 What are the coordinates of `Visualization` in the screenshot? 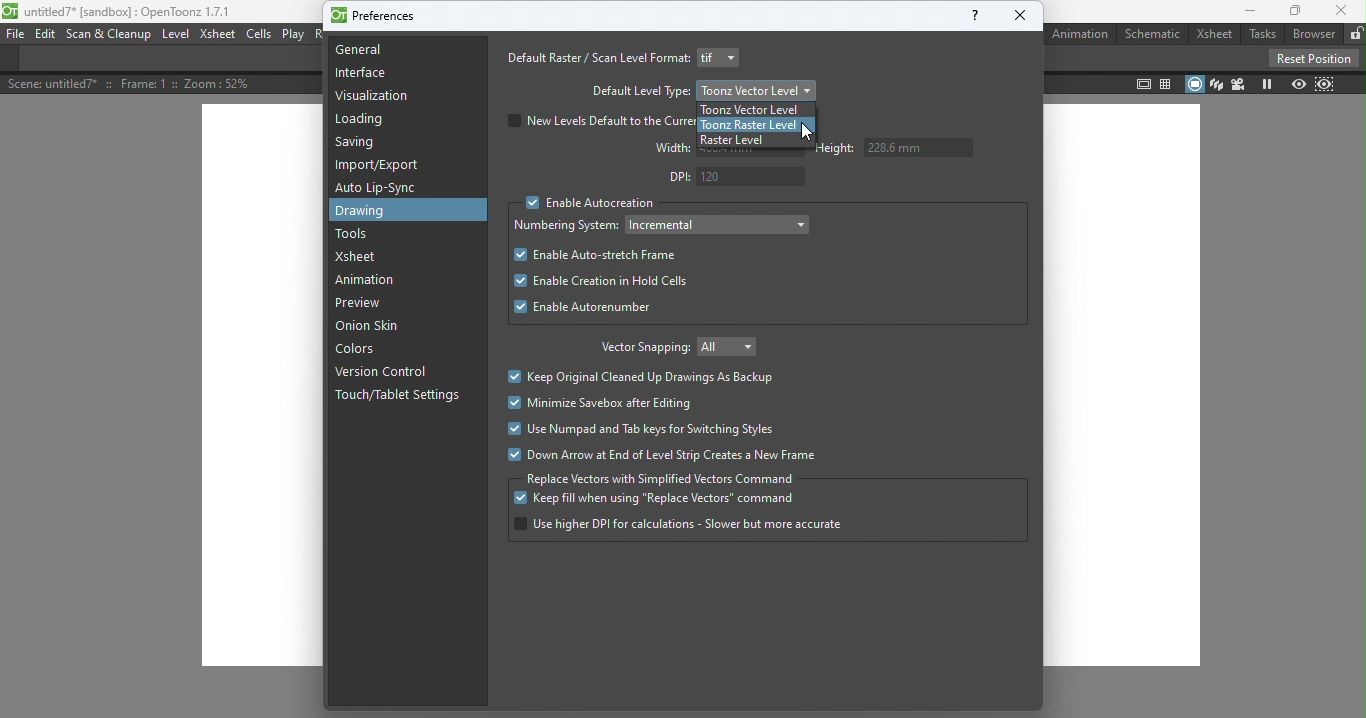 It's located at (374, 96).